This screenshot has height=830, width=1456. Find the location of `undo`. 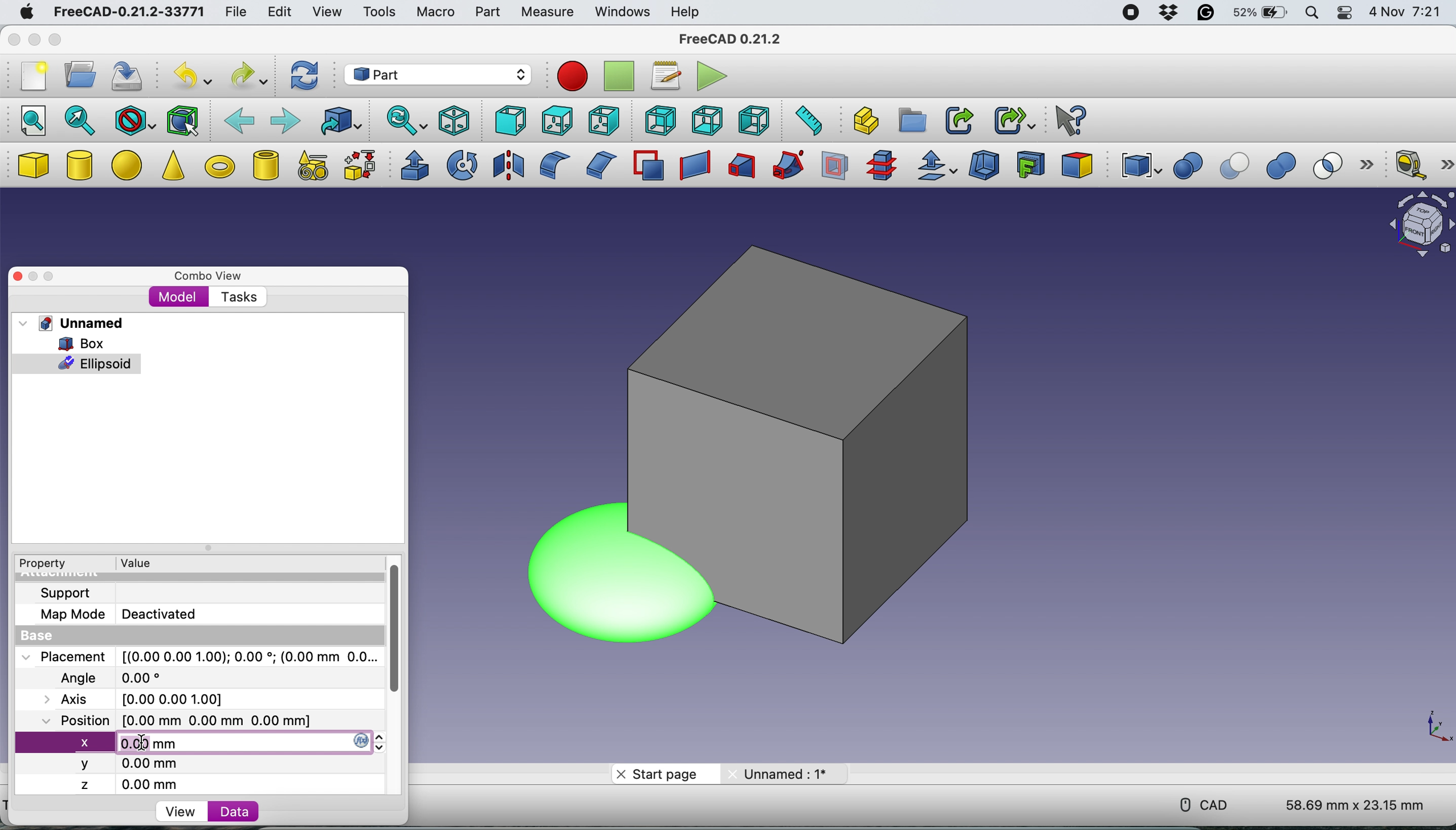

undo is located at coordinates (189, 76).